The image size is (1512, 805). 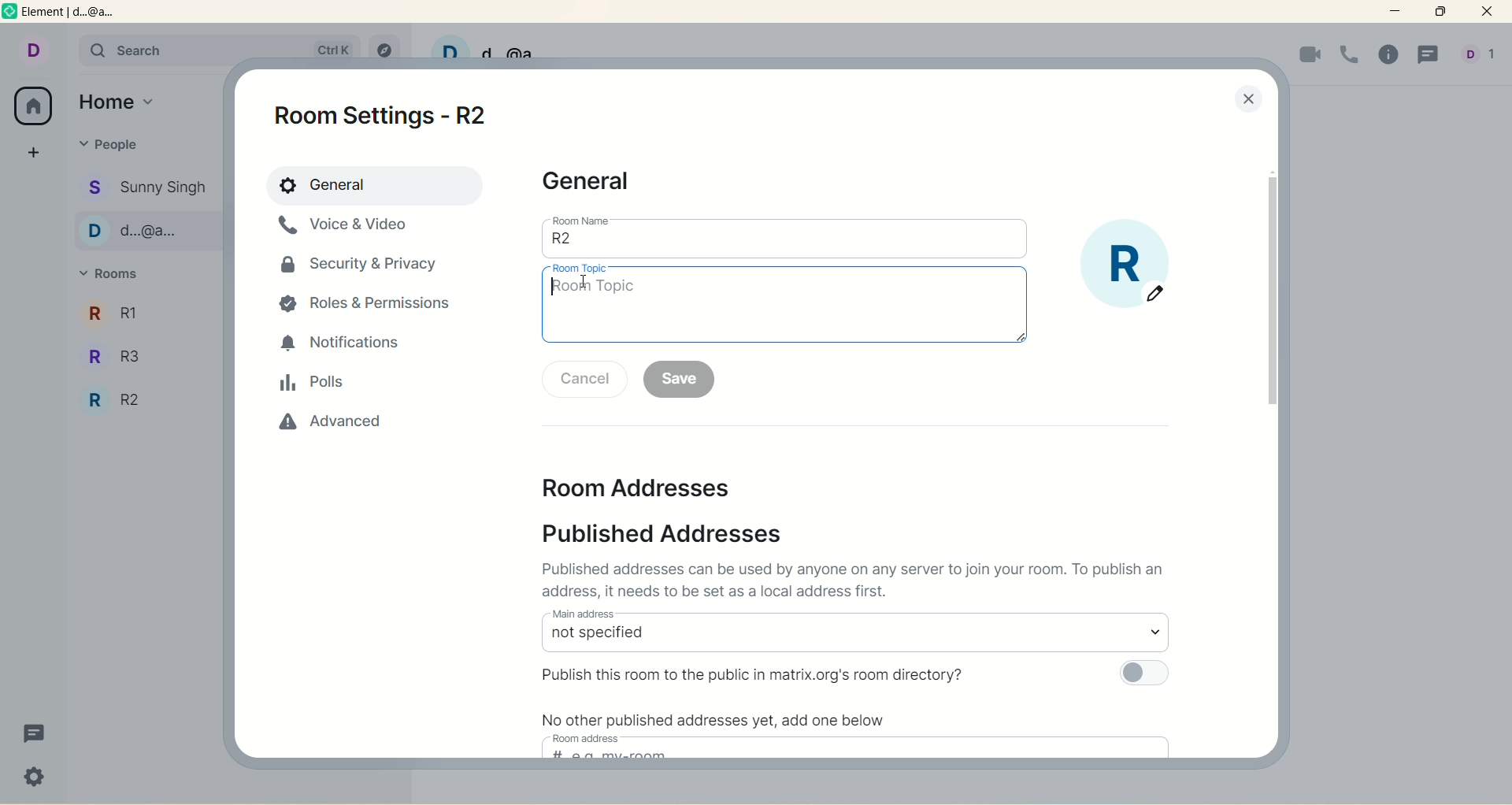 What do you see at coordinates (10, 14) in the screenshot?
I see `logo` at bounding box center [10, 14].